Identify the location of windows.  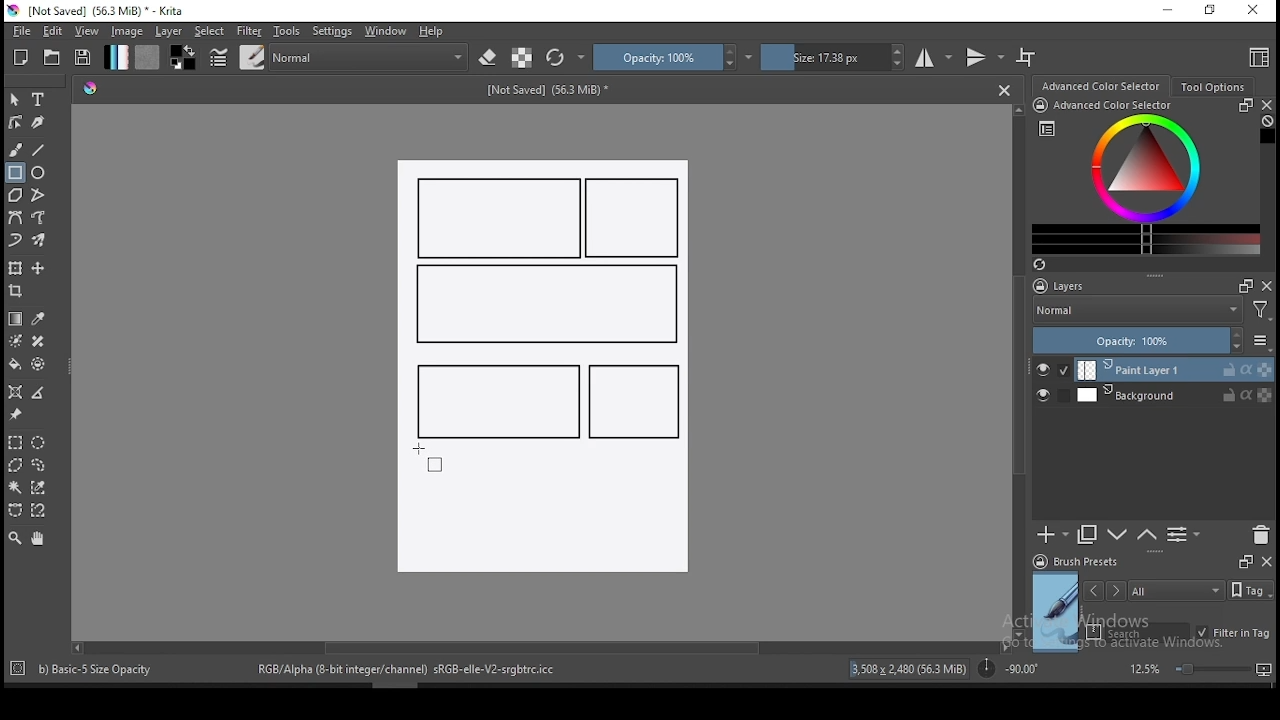
(386, 31).